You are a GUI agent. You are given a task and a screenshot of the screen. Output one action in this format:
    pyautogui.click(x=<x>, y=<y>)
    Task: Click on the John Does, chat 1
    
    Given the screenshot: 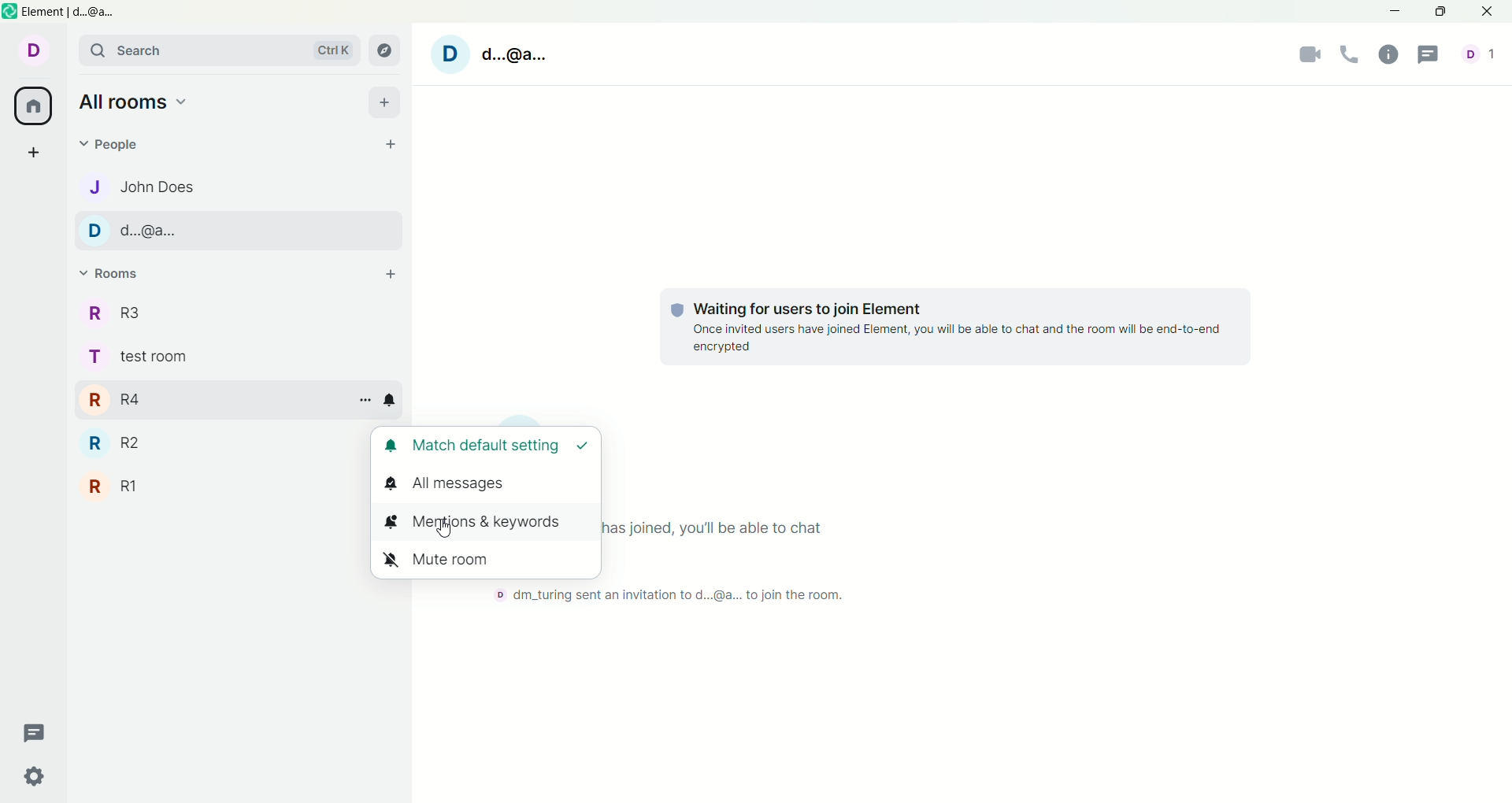 What is the action you would take?
    pyautogui.click(x=238, y=187)
    